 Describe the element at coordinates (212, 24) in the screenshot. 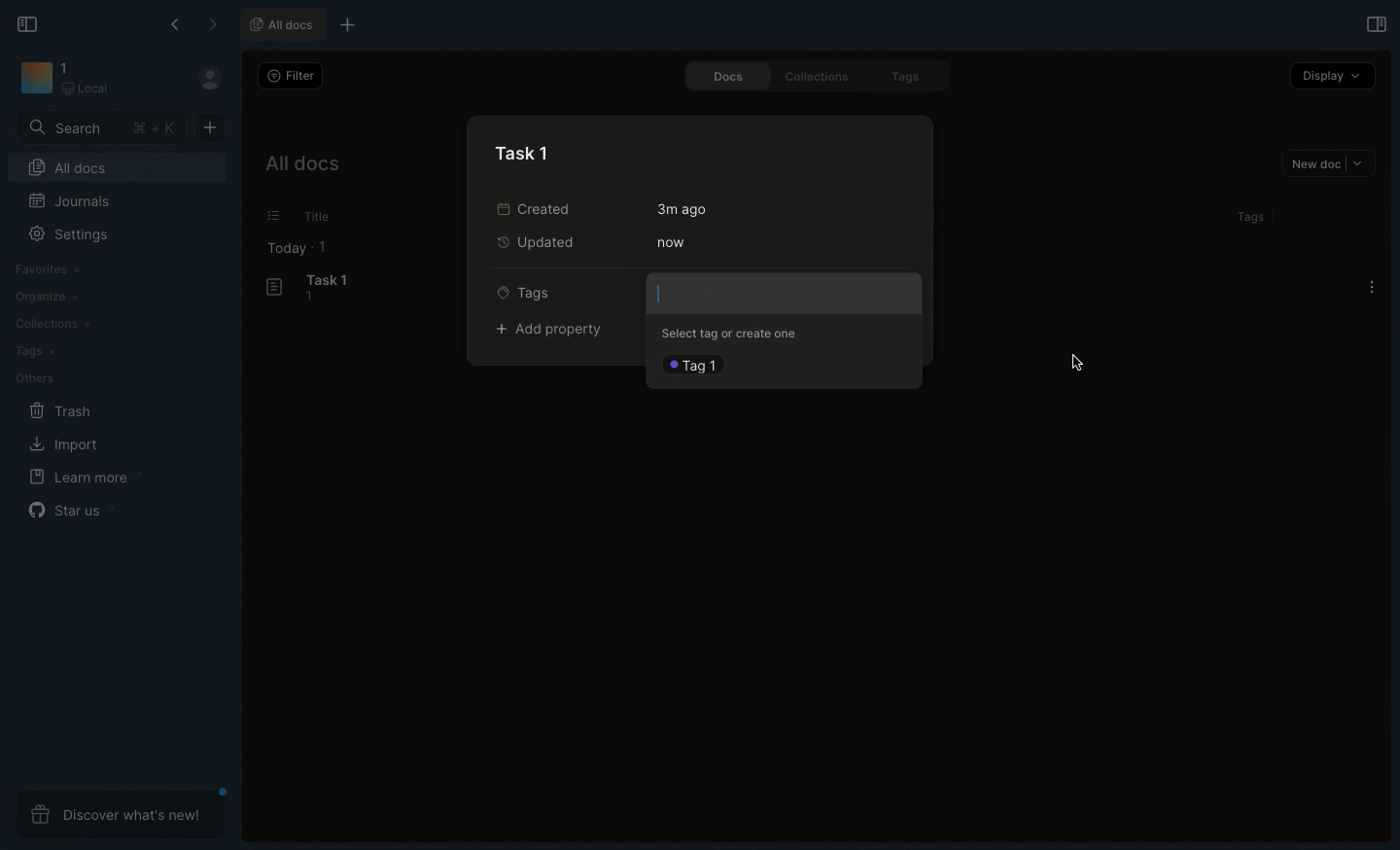

I see `Right arrow` at that location.